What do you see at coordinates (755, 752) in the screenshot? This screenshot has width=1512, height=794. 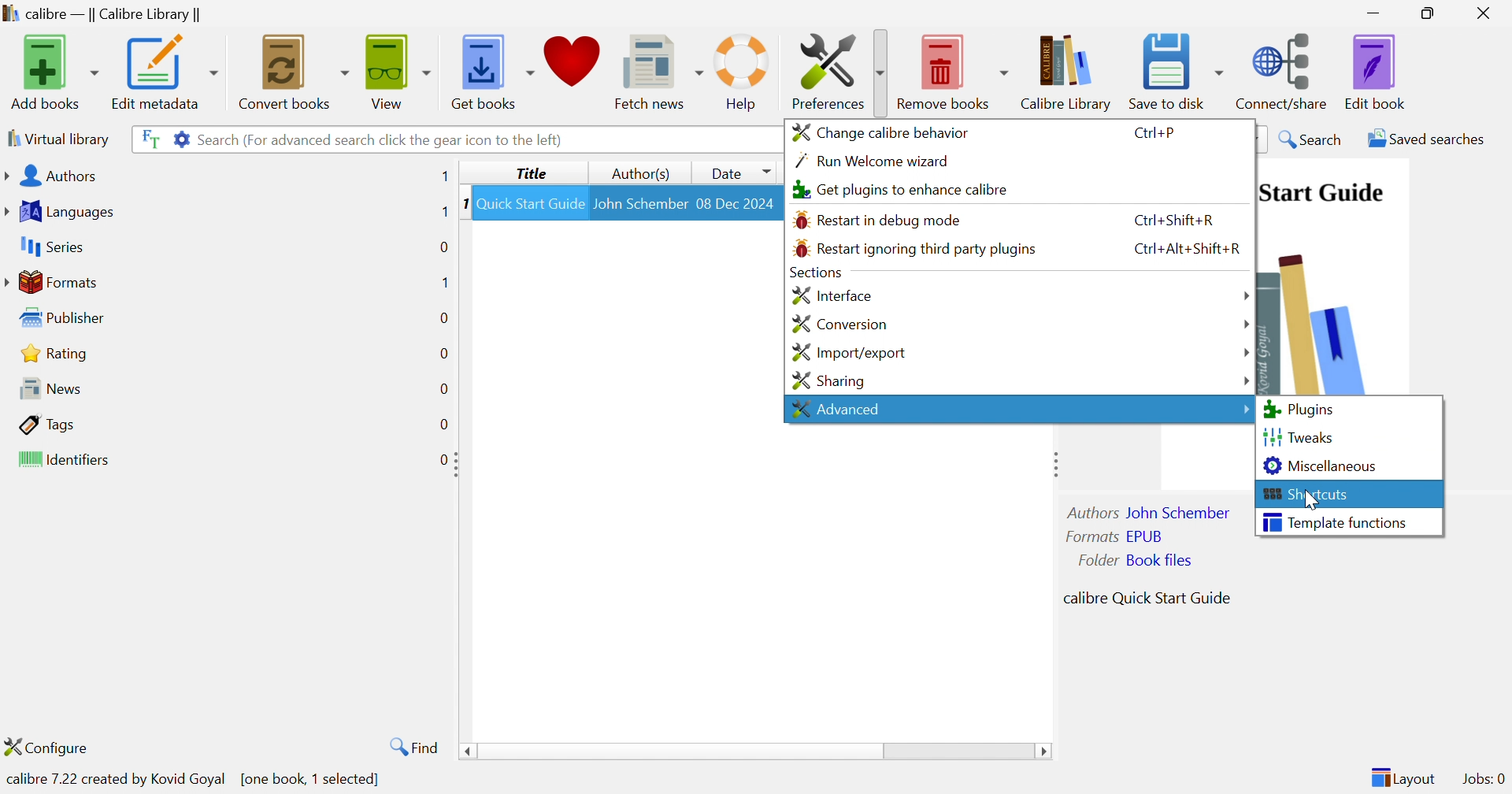 I see `scroll bar` at bounding box center [755, 752].